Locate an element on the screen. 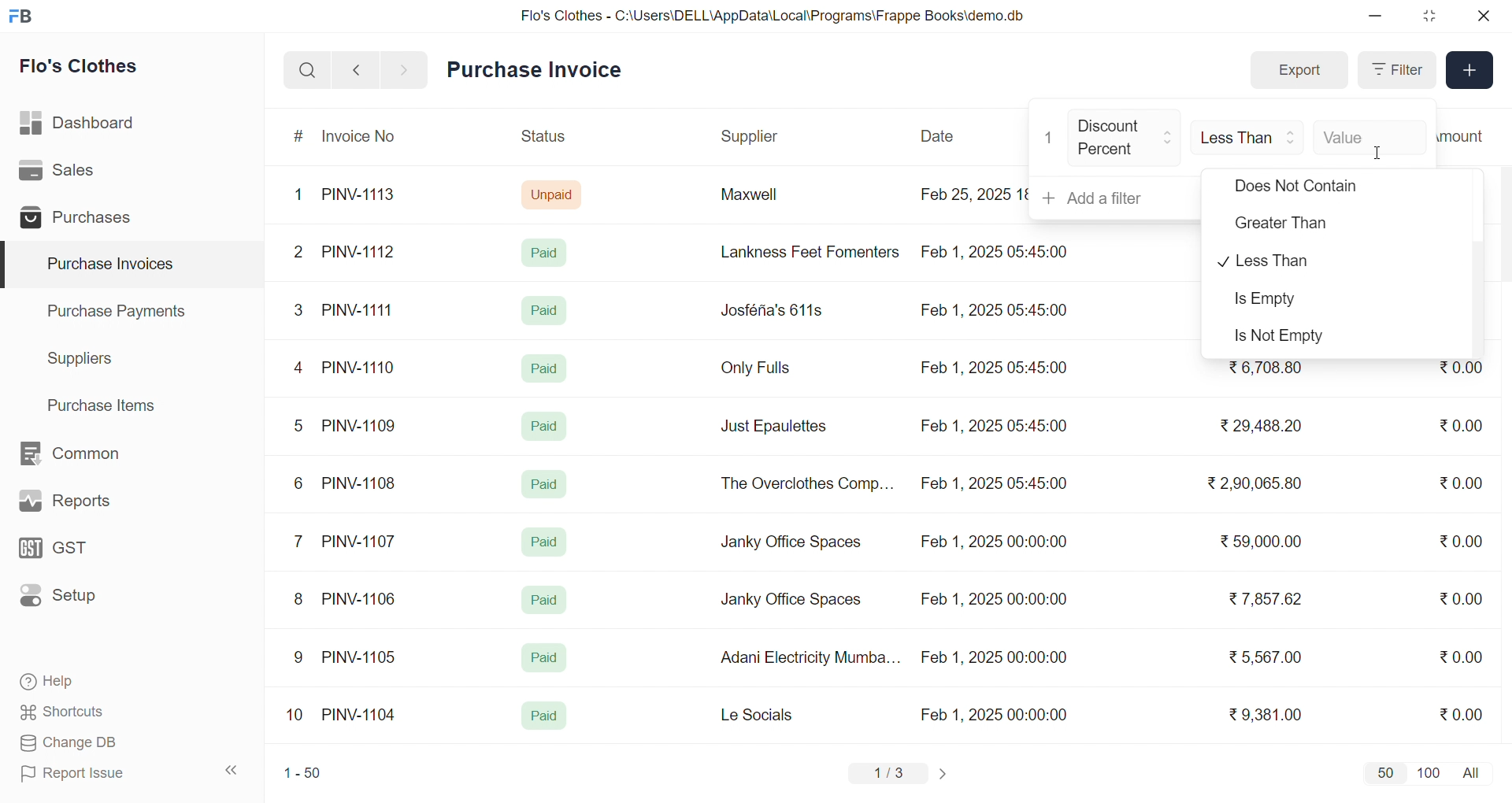  Paid is located at coordinates (545, 310).